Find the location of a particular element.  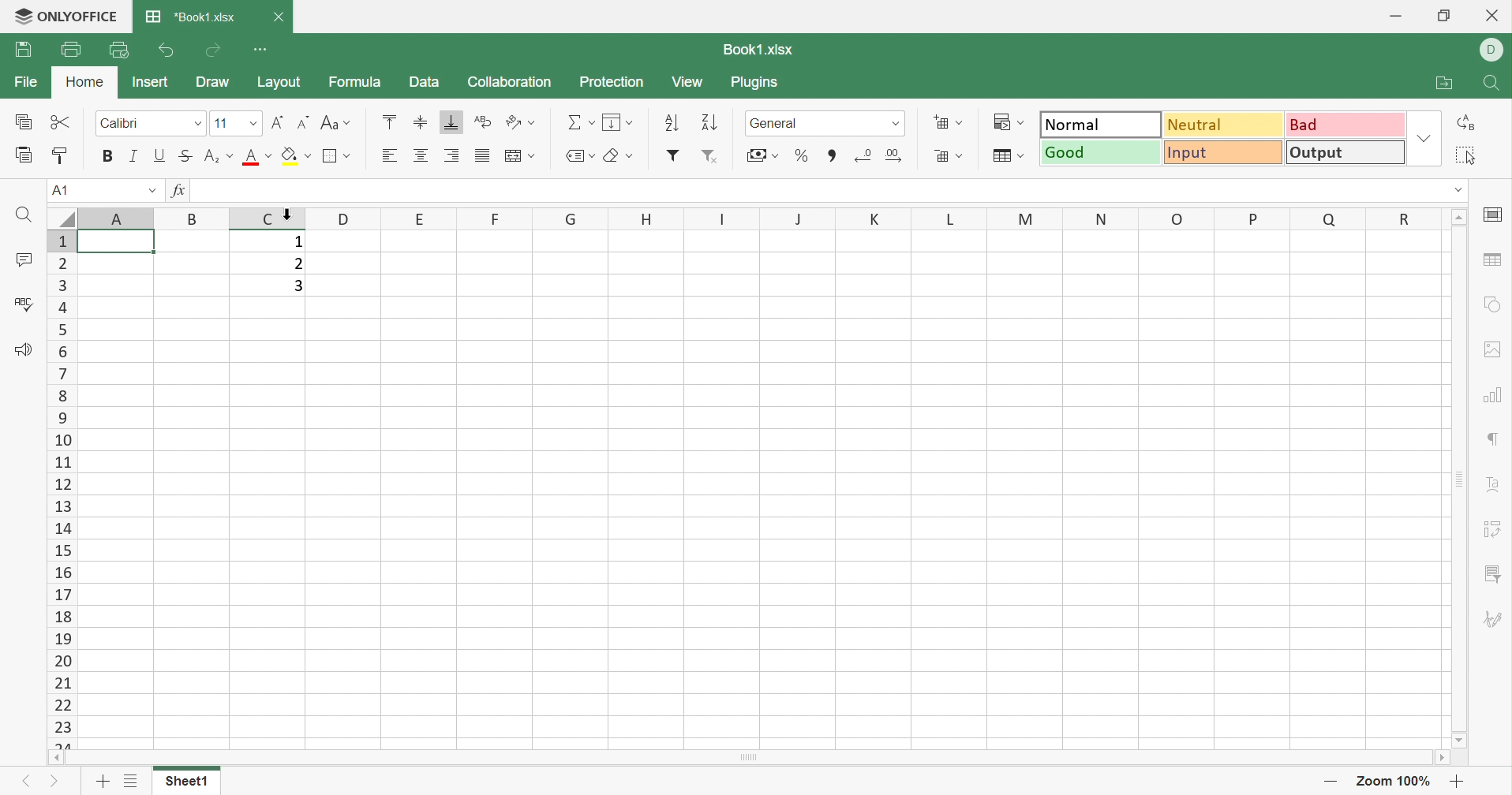

Replace is located at coordinates (1469, 123).